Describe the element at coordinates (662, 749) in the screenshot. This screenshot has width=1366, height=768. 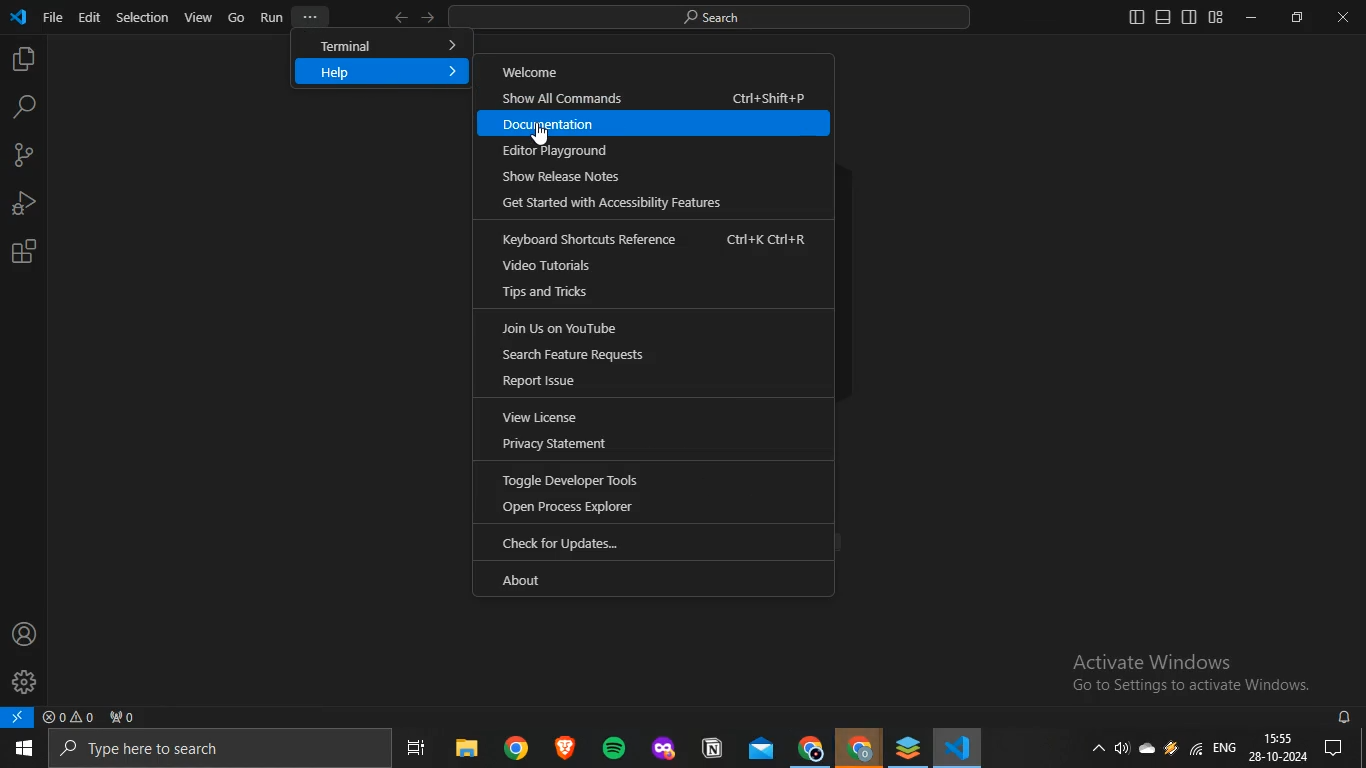
I see `mozilla firefox` at that location.